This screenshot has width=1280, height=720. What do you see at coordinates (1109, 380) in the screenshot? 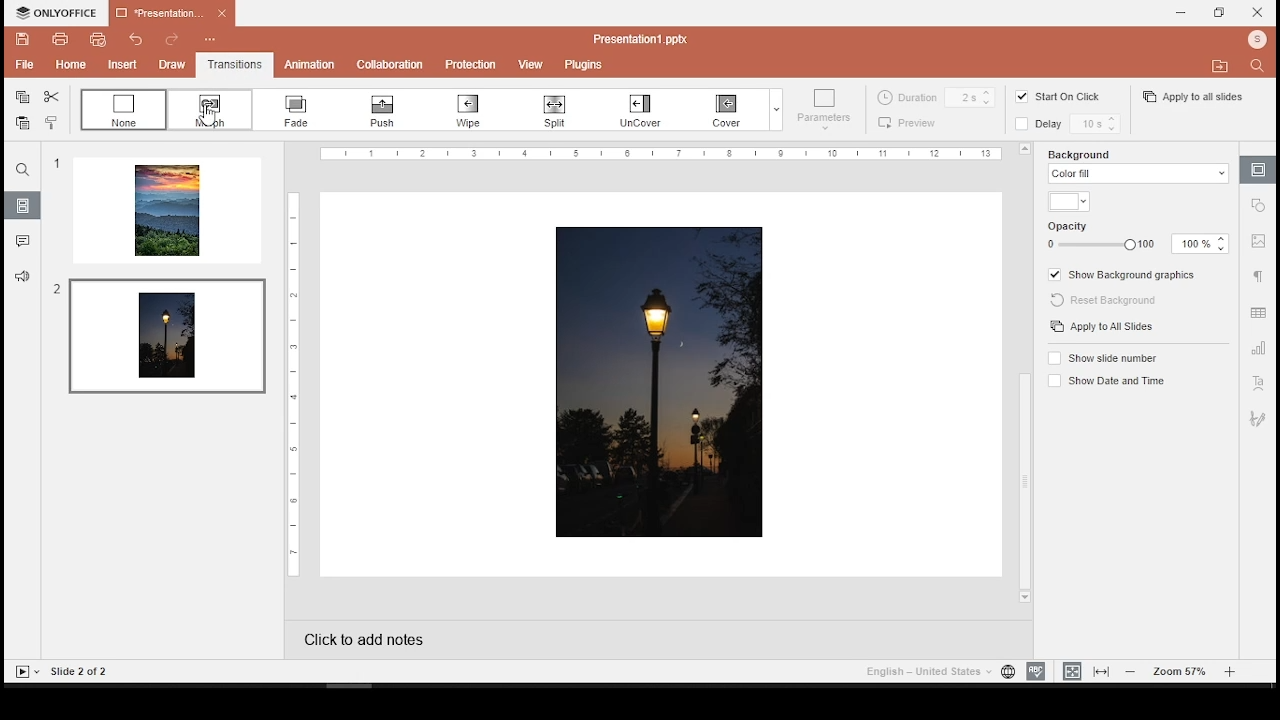
I see `show date and time on/off` at bounding box center [1109, 380].